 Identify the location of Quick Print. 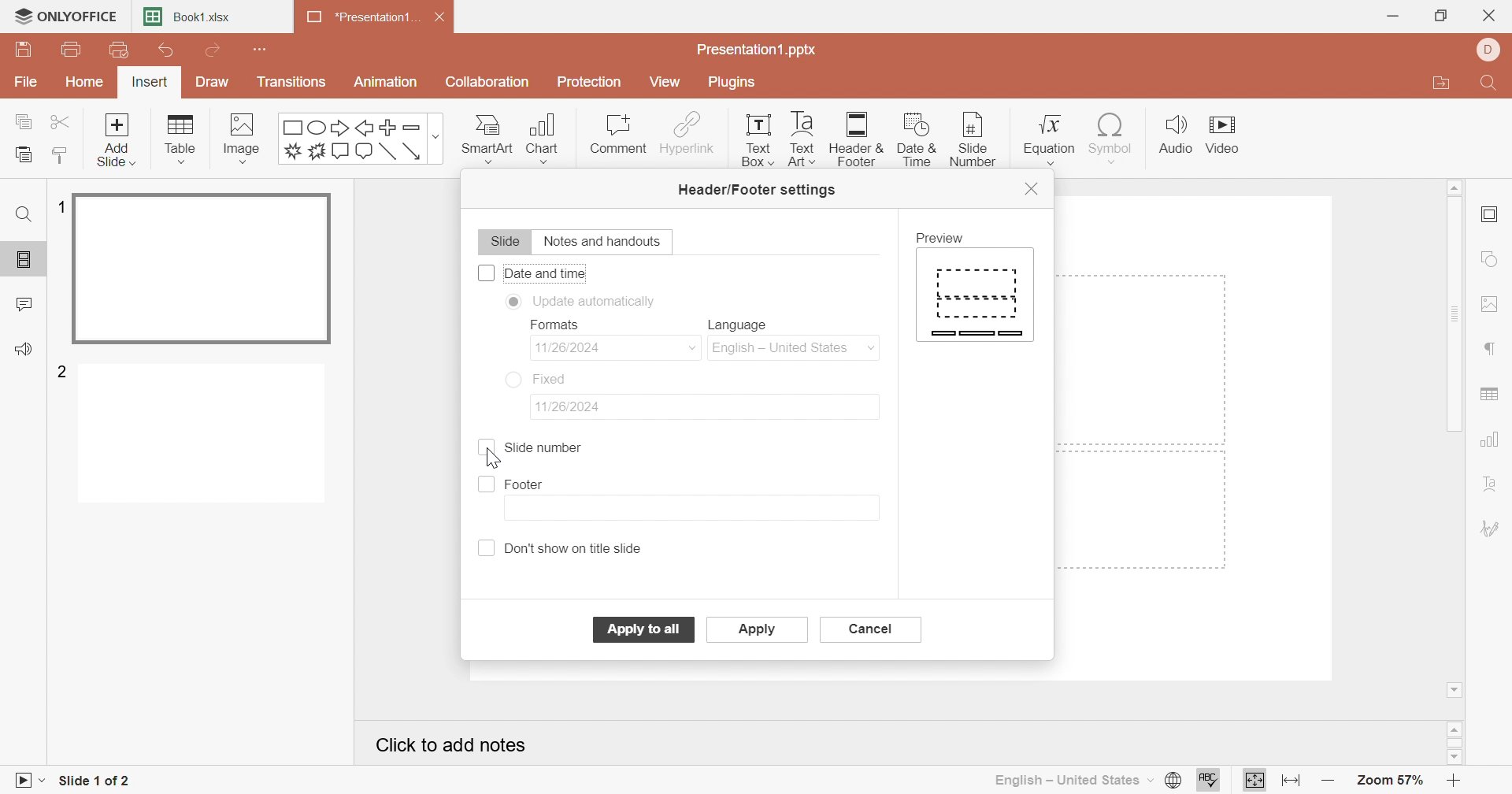
(115, 50).